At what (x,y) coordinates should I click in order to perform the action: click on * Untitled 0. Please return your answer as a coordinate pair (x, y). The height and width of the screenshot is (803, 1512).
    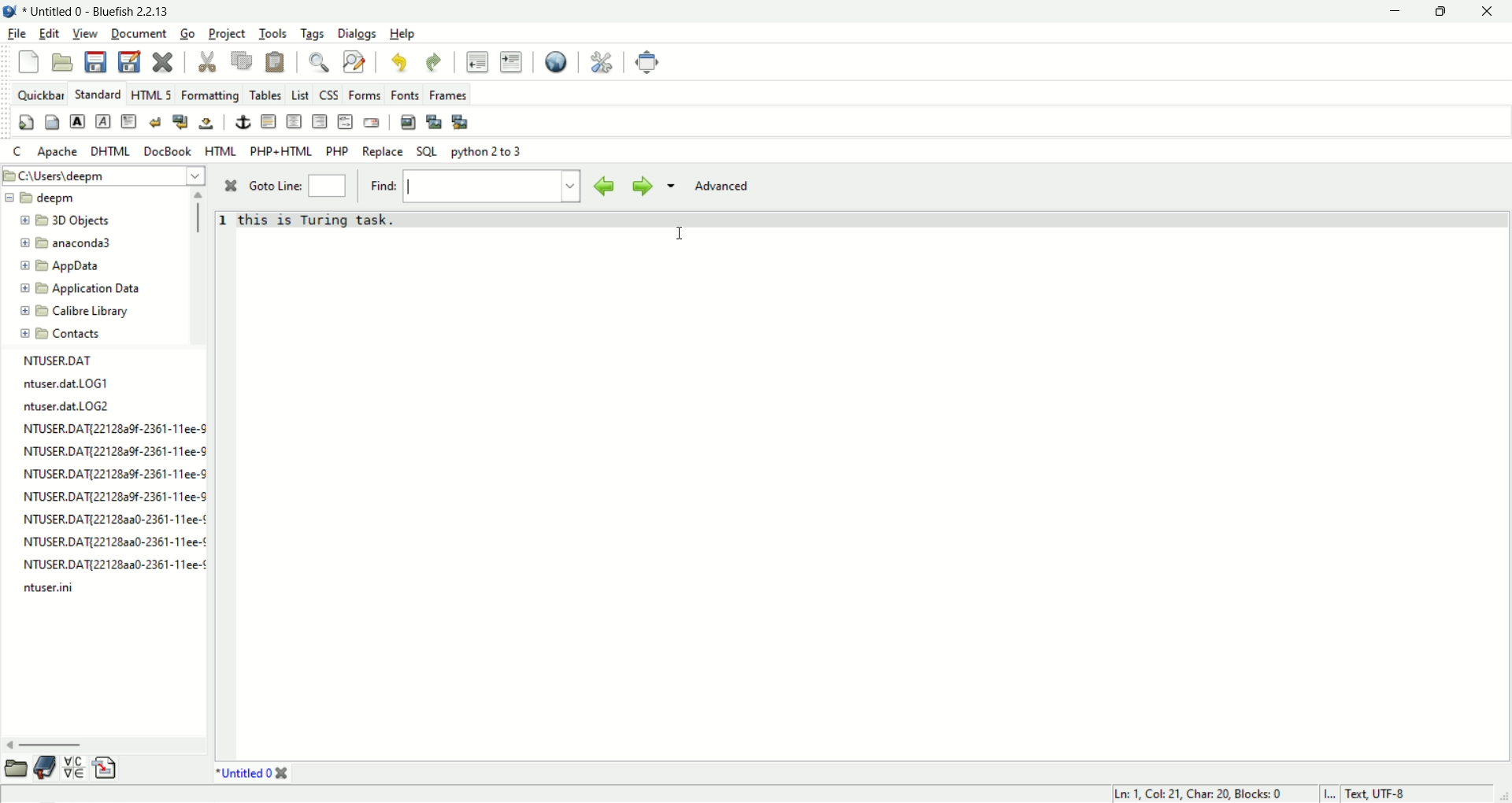
    Looking at the image, I should click on (243, 775).